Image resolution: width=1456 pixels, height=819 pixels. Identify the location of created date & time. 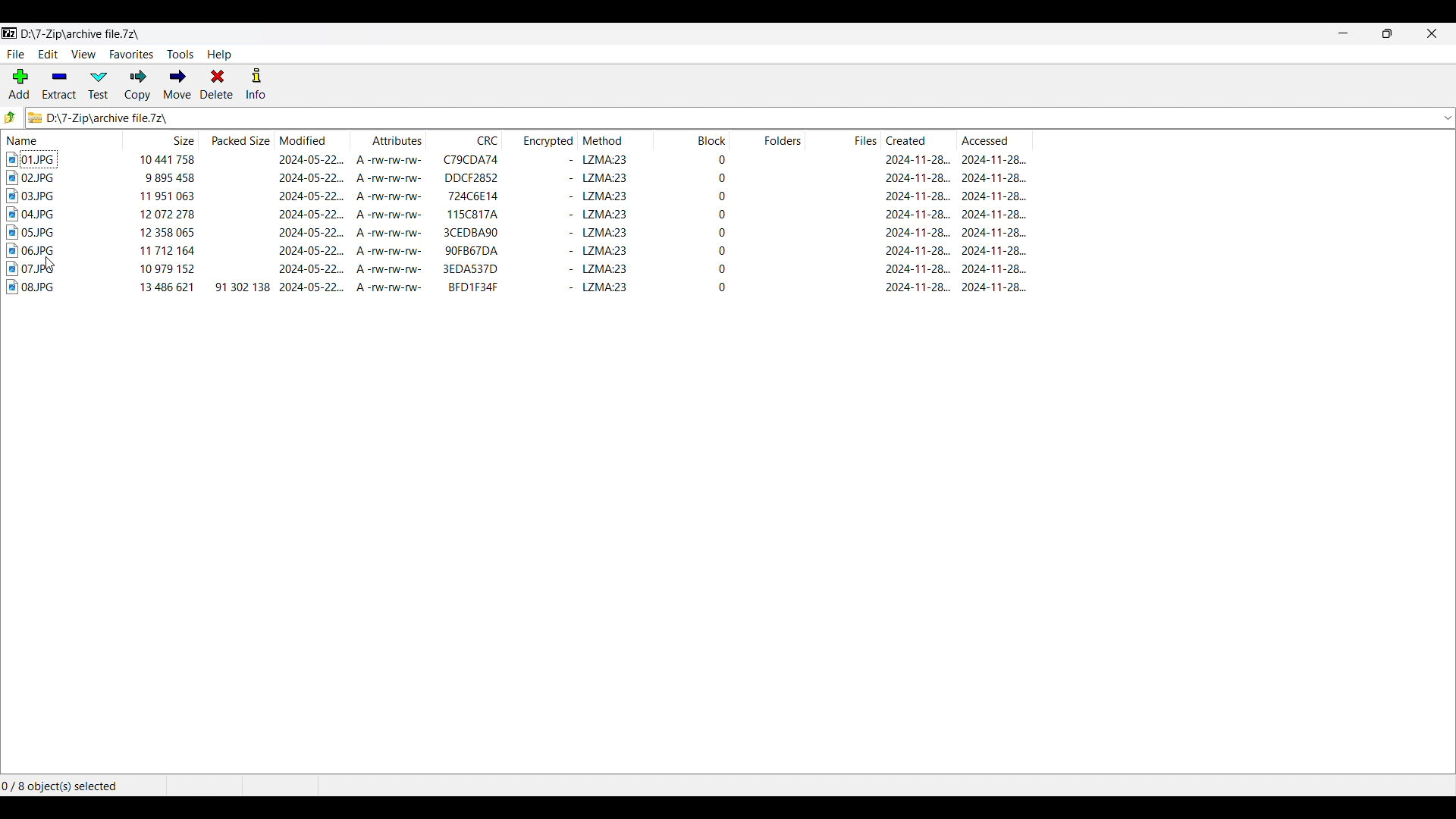
(918, 158).